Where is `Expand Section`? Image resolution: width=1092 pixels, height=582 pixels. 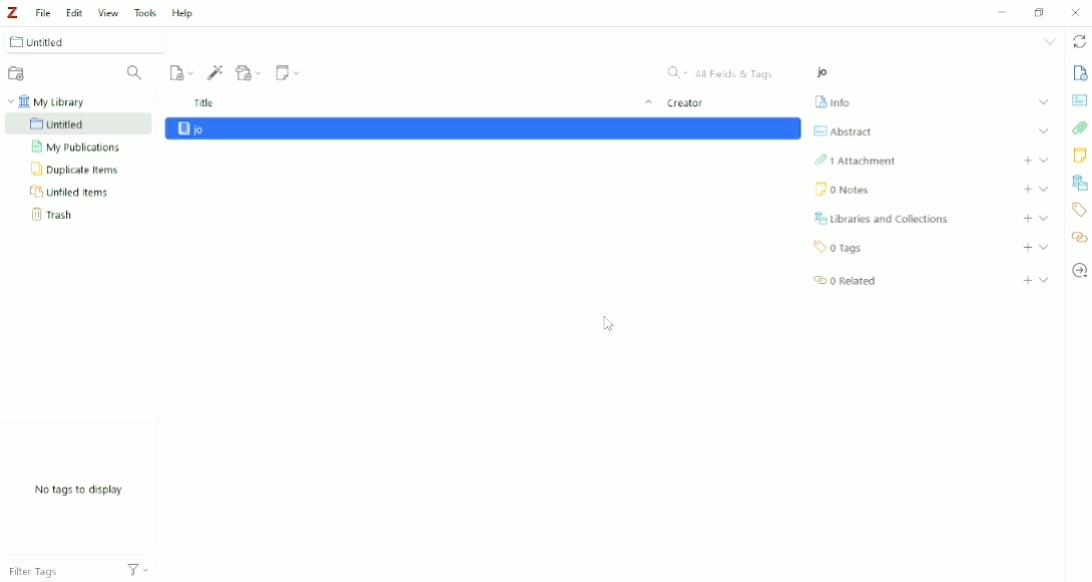
Expand Section is located at coordinates (1033, 100).